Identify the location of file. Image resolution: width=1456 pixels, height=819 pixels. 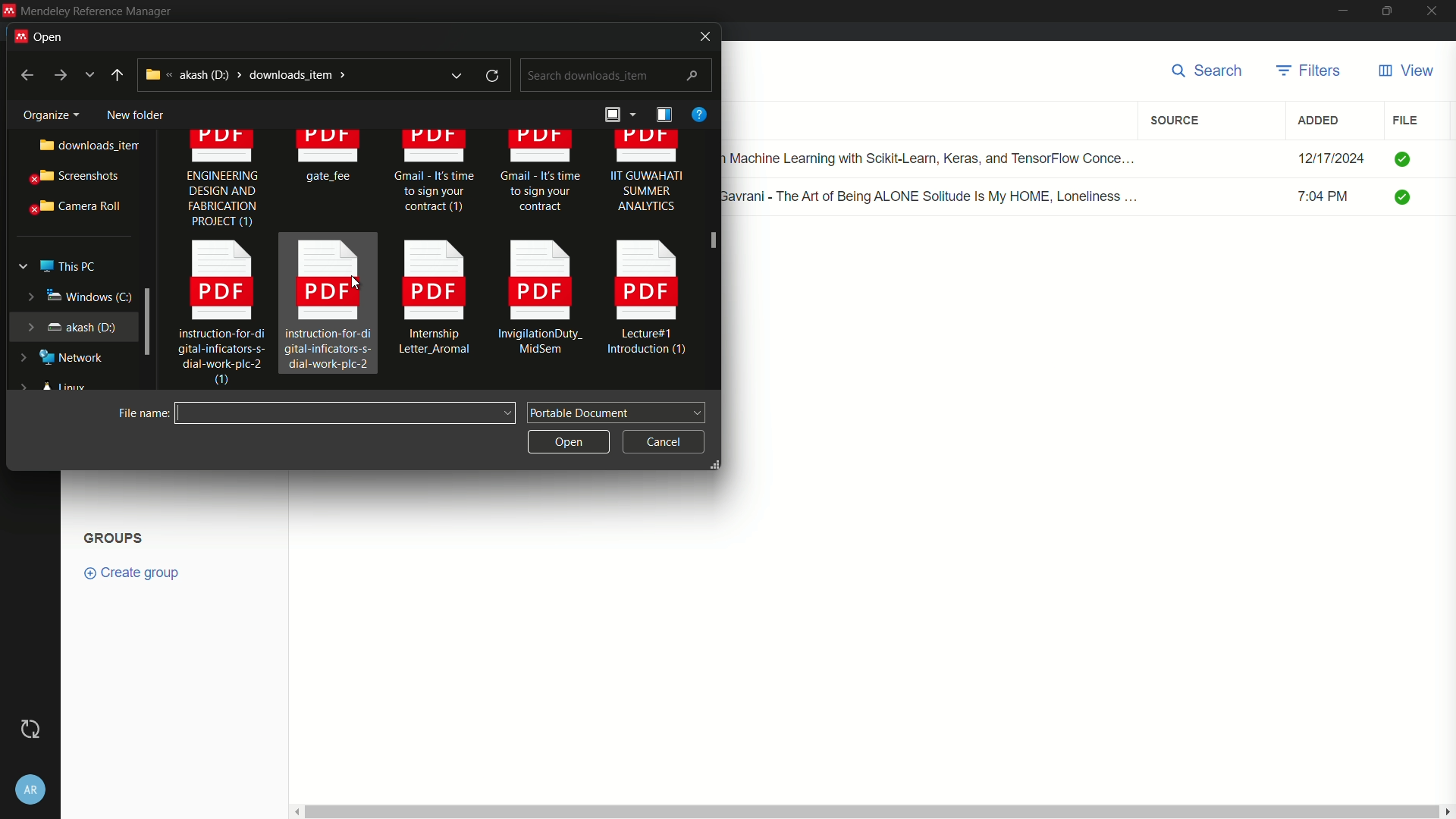
(1405, 120).